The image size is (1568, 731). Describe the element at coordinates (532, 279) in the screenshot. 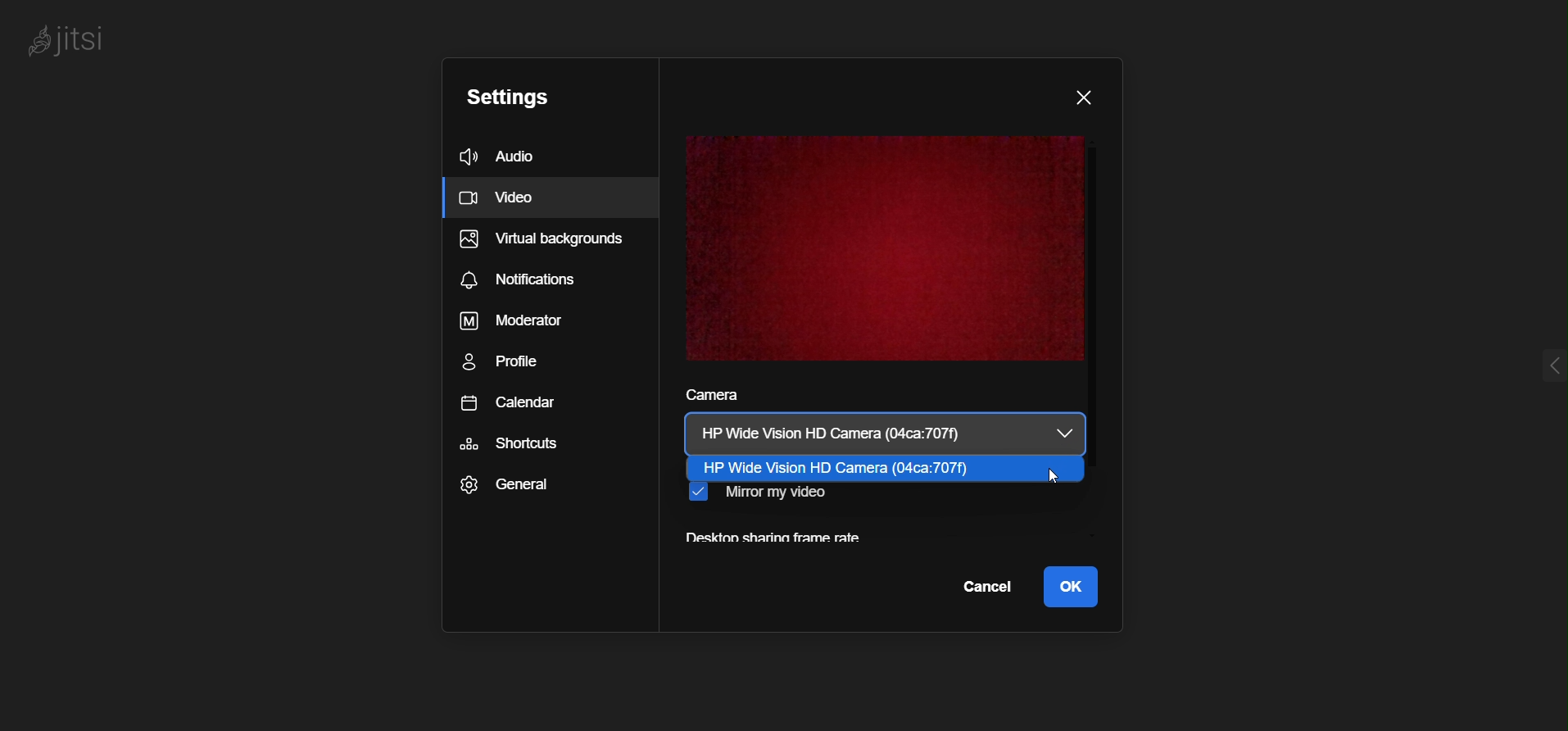

I see `notifications` at that location.